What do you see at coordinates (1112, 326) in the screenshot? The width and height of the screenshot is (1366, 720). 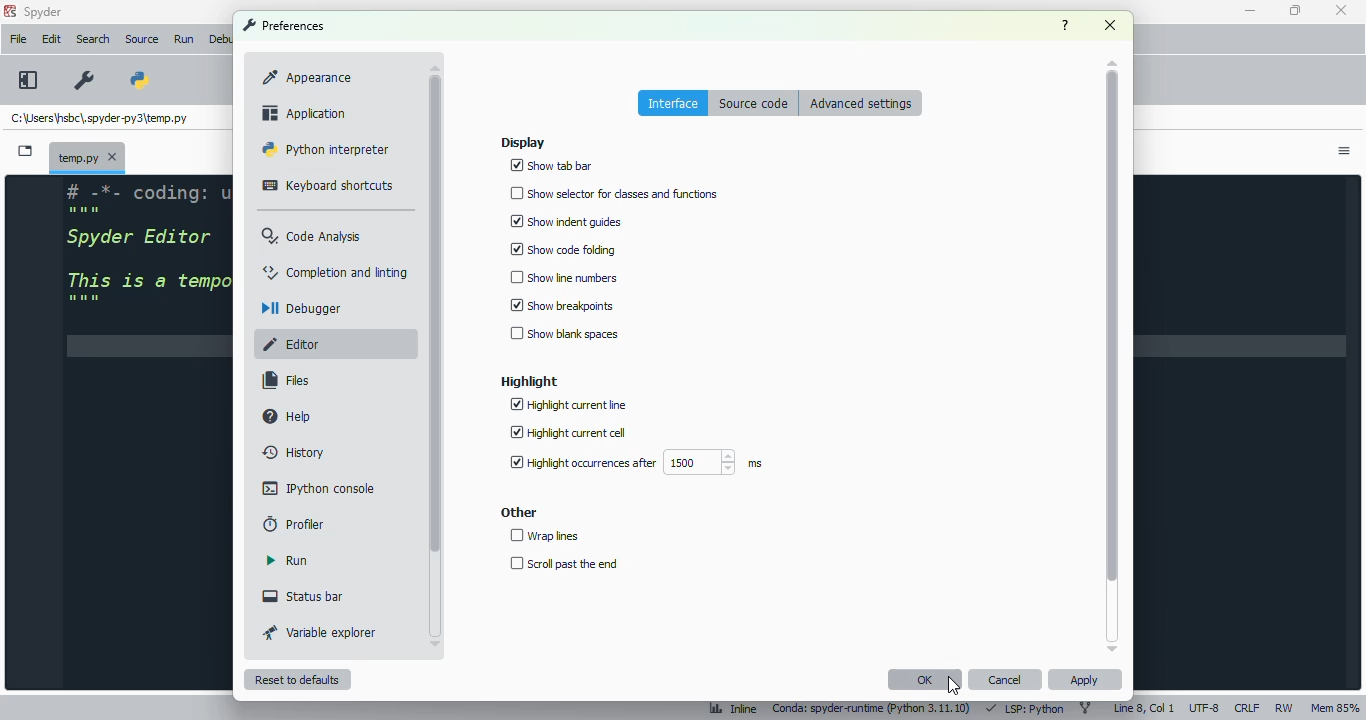 I see `scrollbar` at bounding box center [1112, 326].